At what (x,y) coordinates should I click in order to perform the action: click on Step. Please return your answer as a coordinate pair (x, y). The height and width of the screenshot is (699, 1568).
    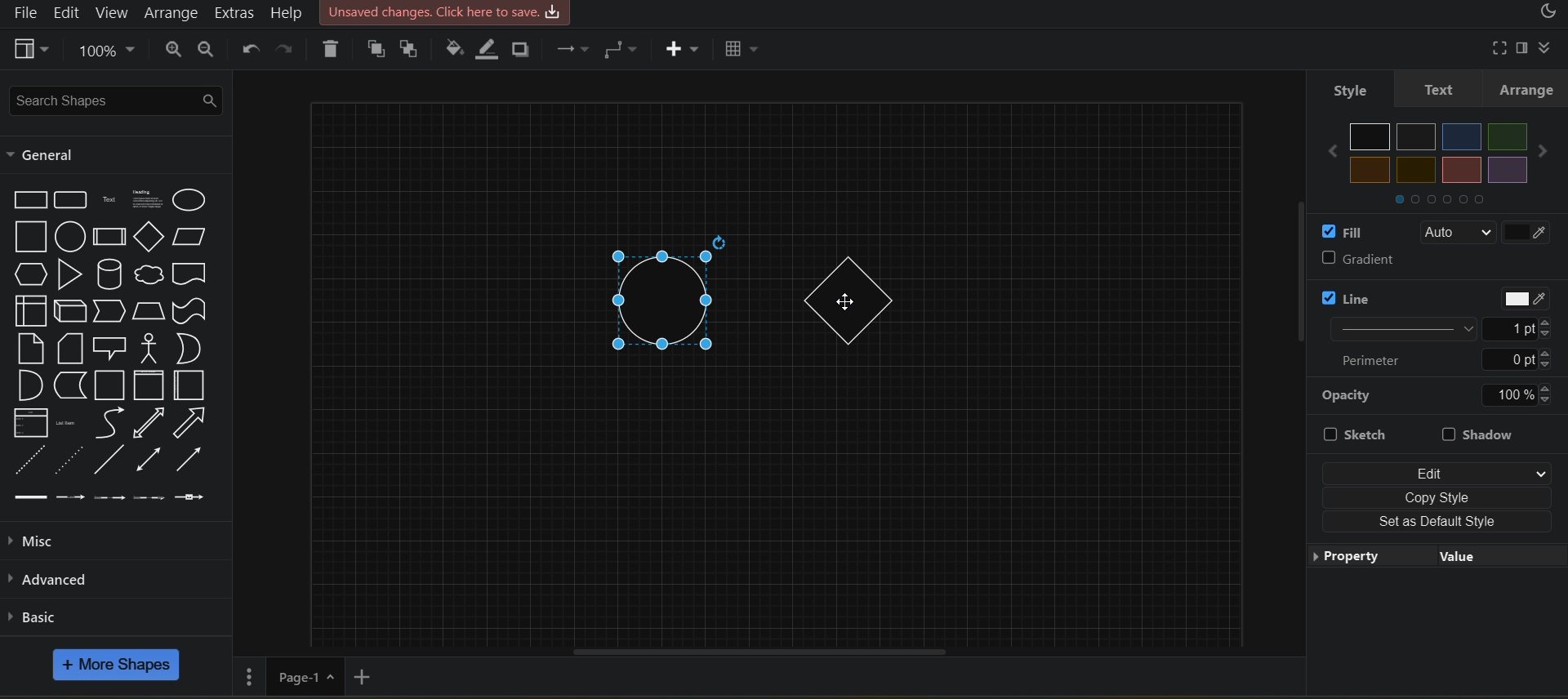
    Looking at the image, I should click on (109, 309).